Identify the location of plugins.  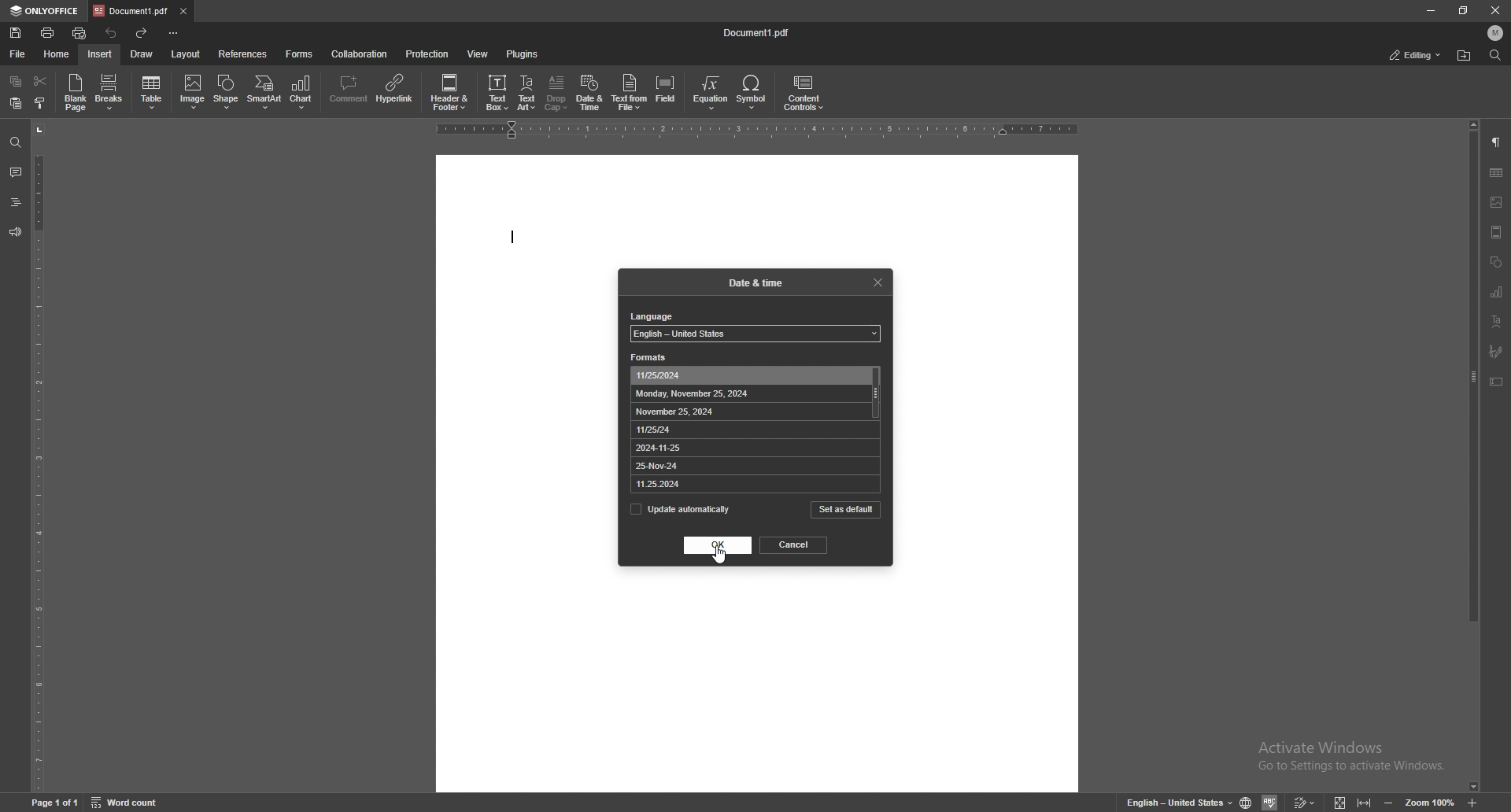
(525, 54).